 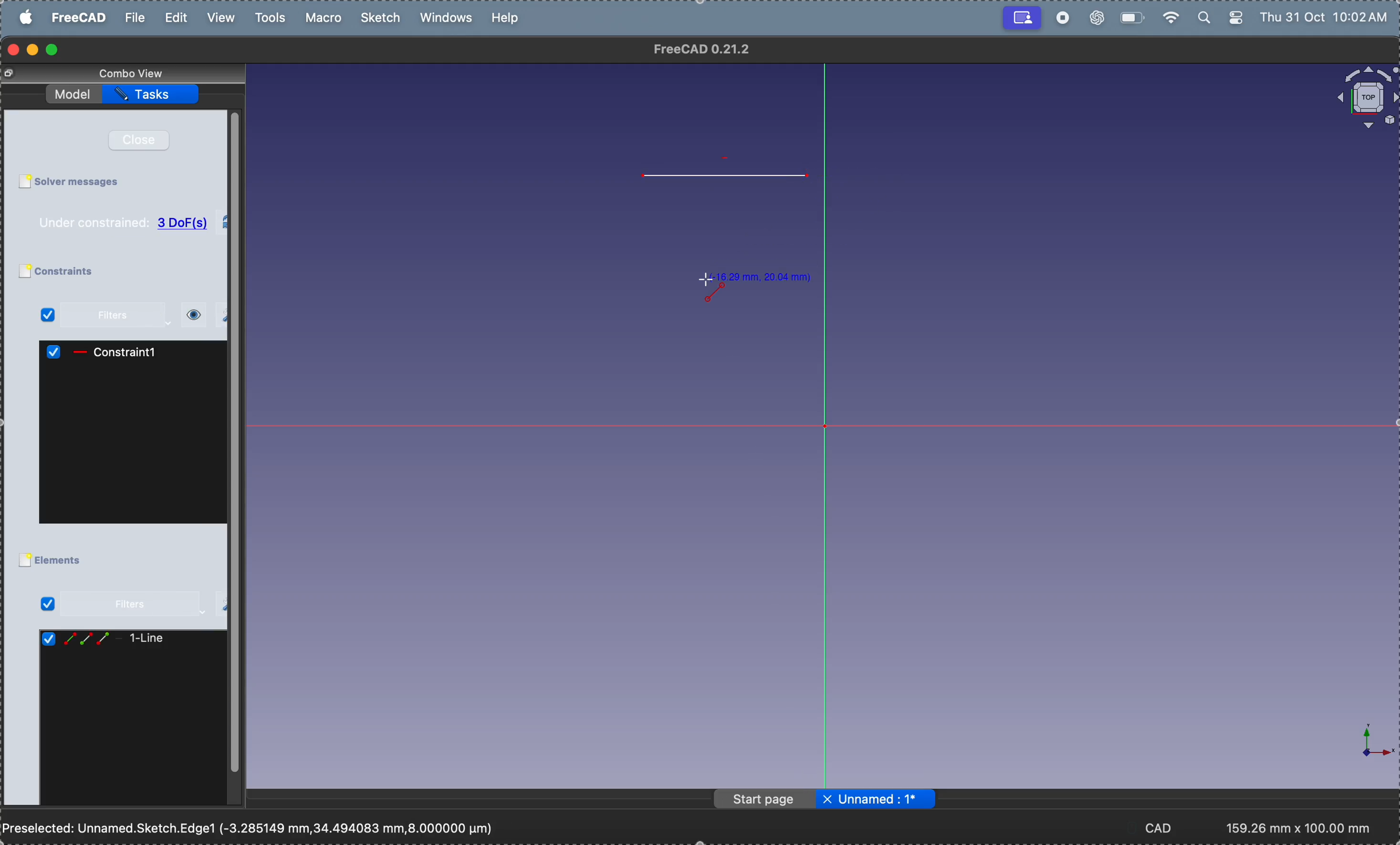 I want to click on line, so click(x=149, y=639).